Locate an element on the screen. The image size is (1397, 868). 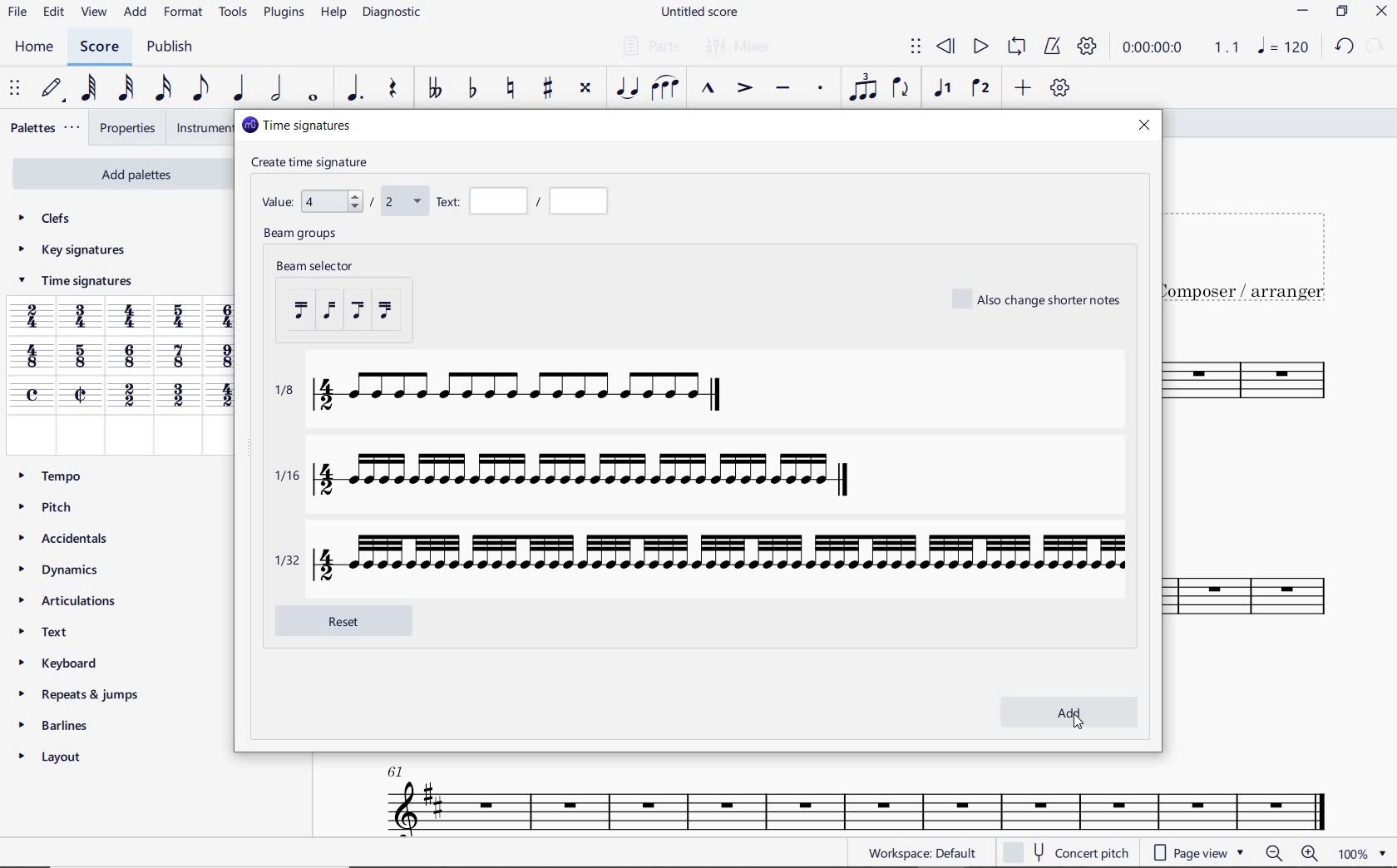
TUPLET is located at coordinates (861, 89).